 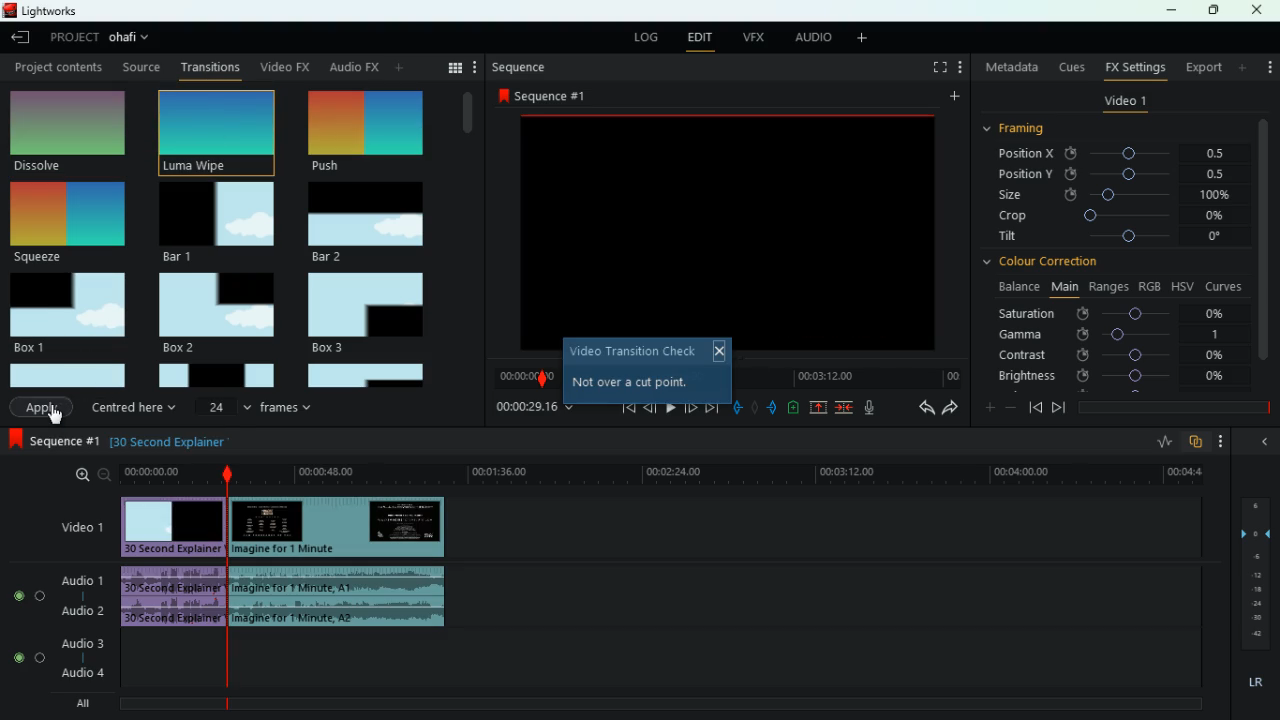 I want to click on rate, so click(x=1163, y=444).